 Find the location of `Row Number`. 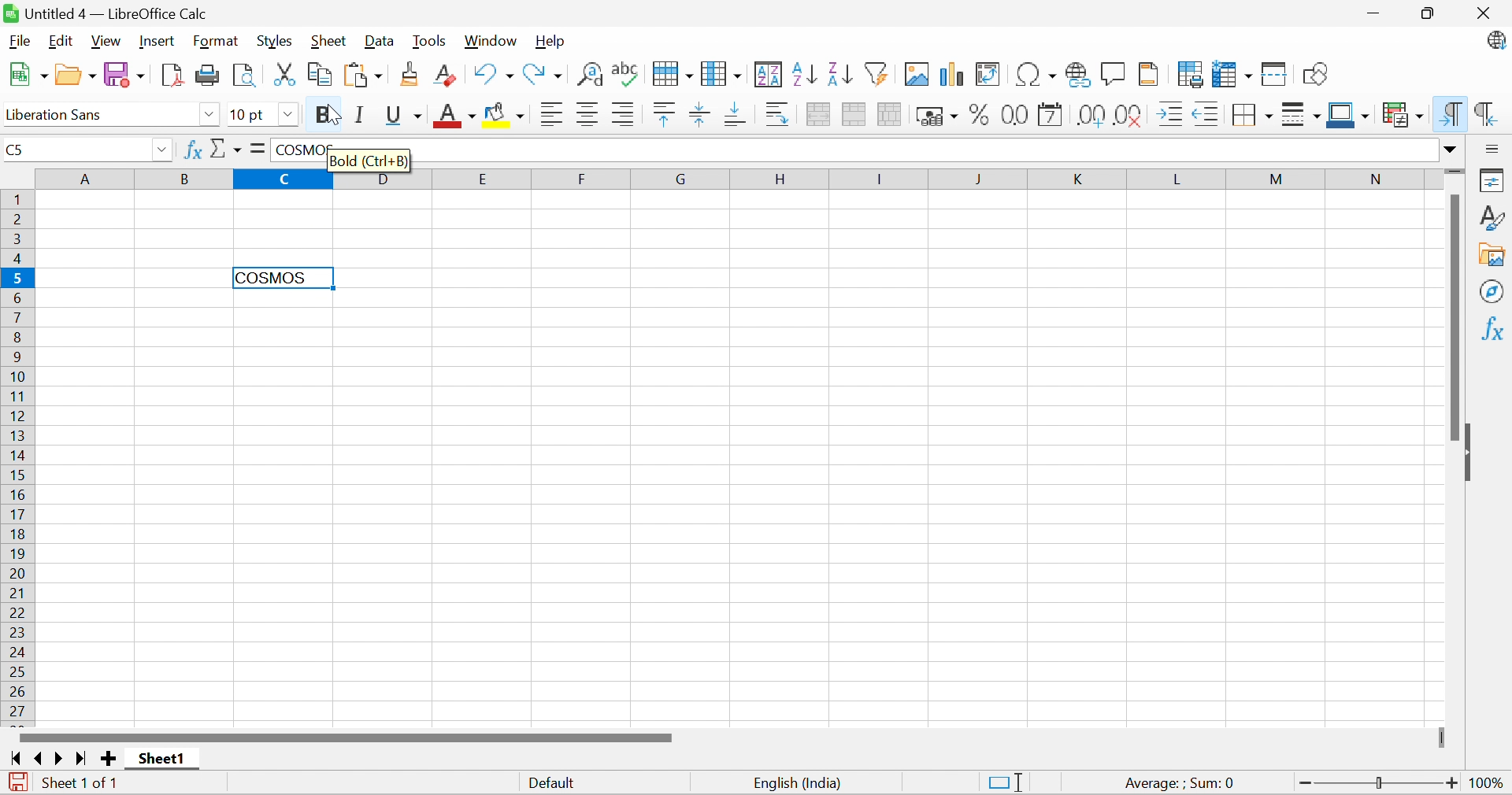

Row Number is located at coordinates (17, 457).